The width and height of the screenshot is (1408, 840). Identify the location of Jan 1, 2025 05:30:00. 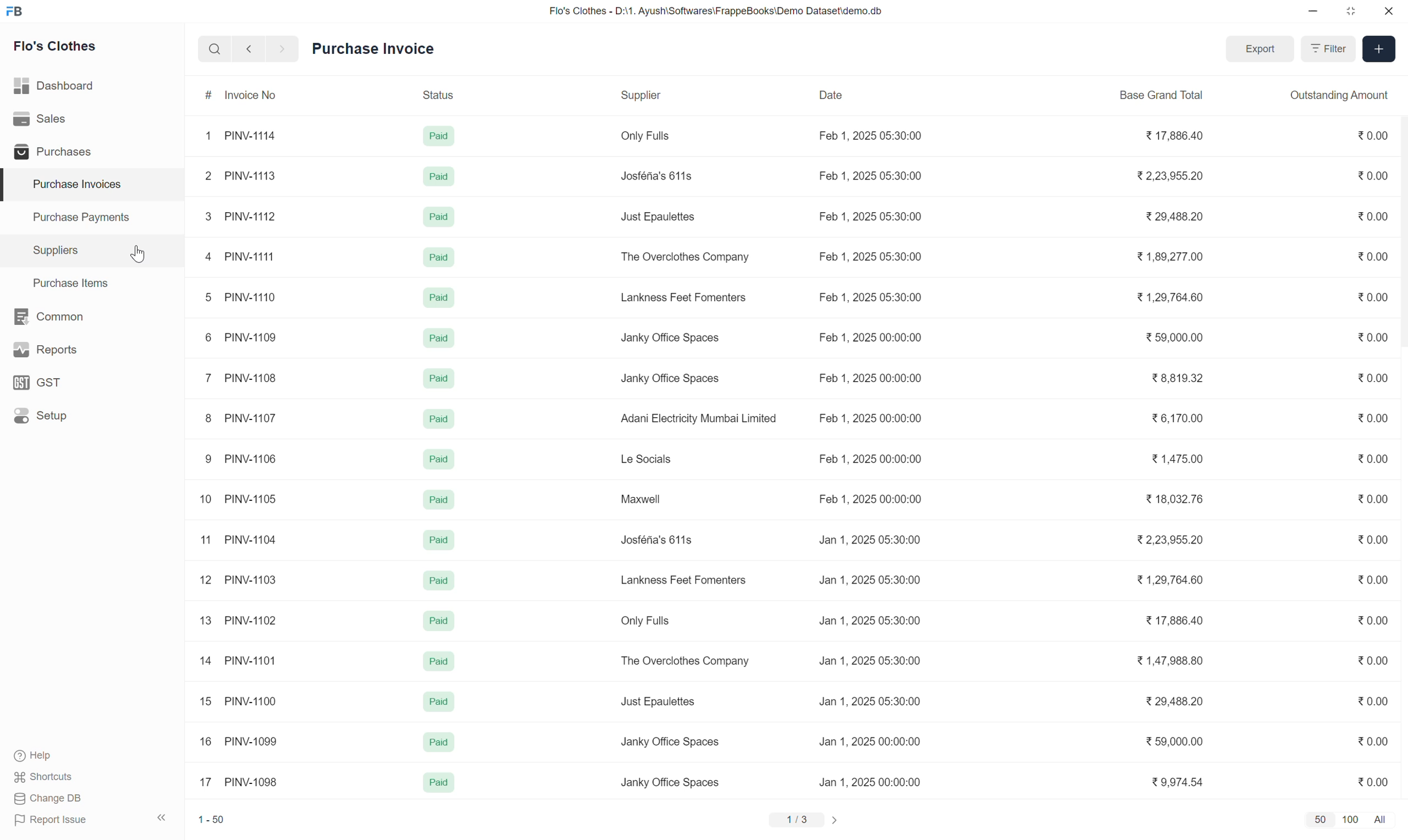
(871, 540).